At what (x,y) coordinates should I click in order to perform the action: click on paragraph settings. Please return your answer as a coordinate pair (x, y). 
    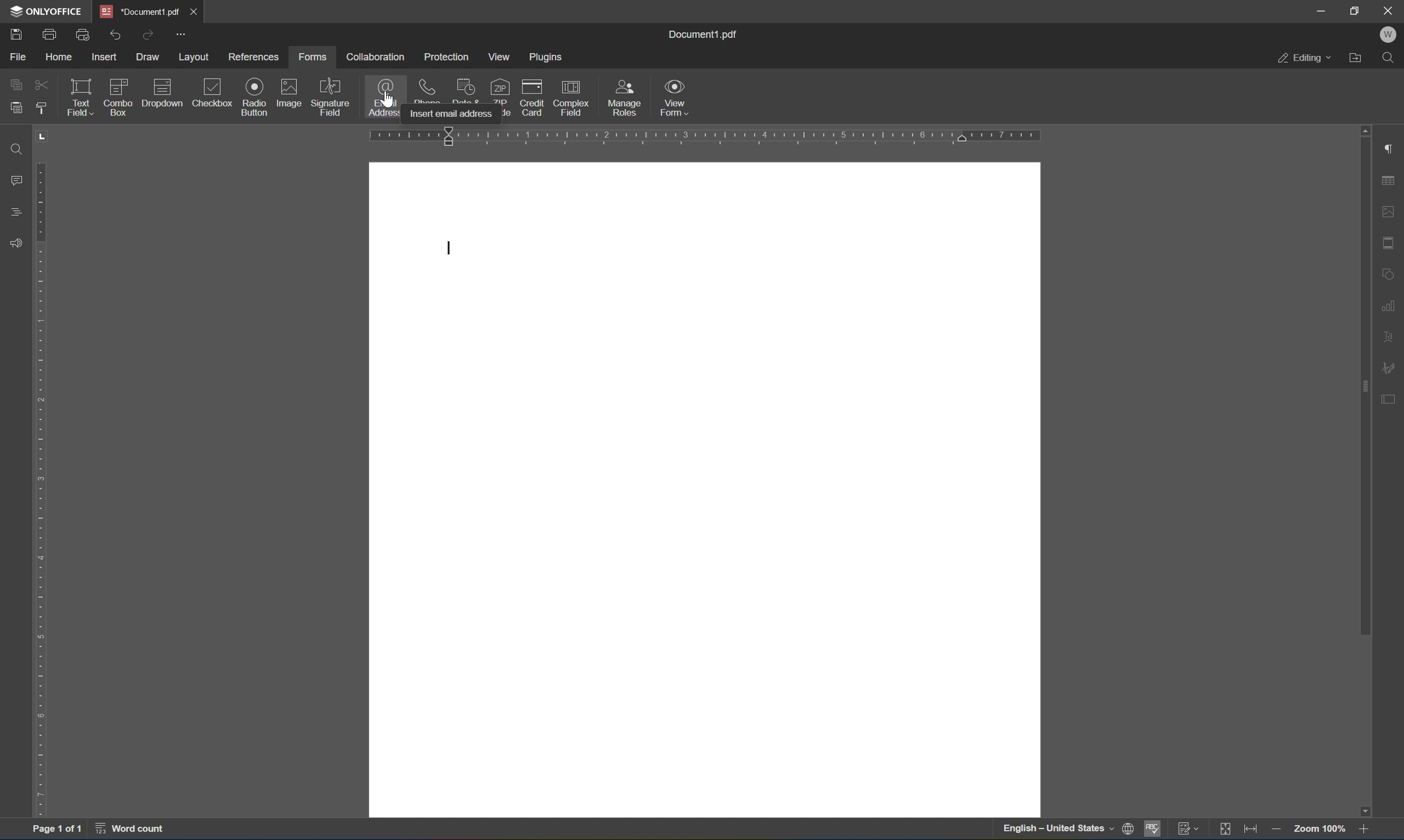
    Looking at the image, I should click on (1391, 148).